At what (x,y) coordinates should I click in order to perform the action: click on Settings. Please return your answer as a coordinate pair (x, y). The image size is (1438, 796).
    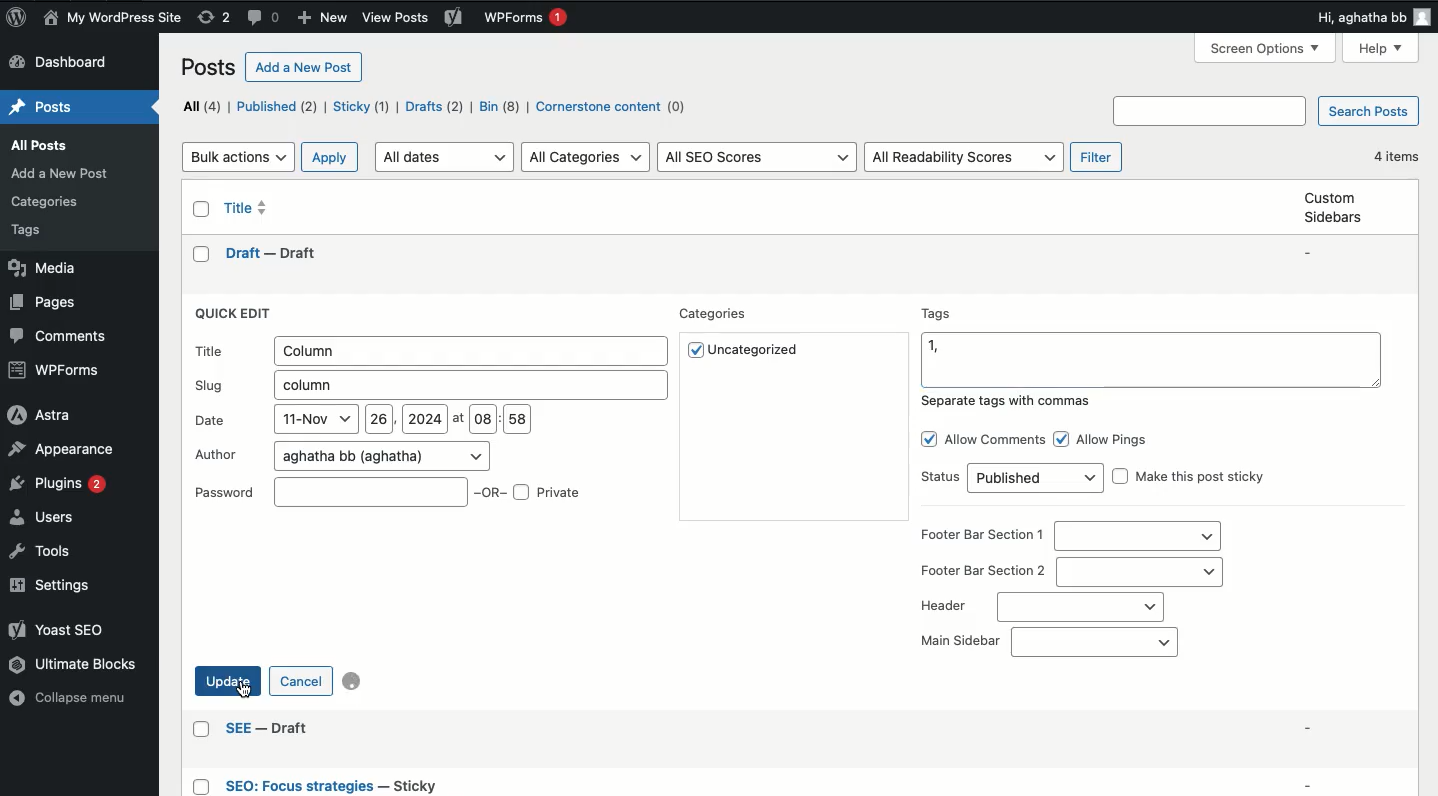
    Looking at the image, I should click on (57, 586).